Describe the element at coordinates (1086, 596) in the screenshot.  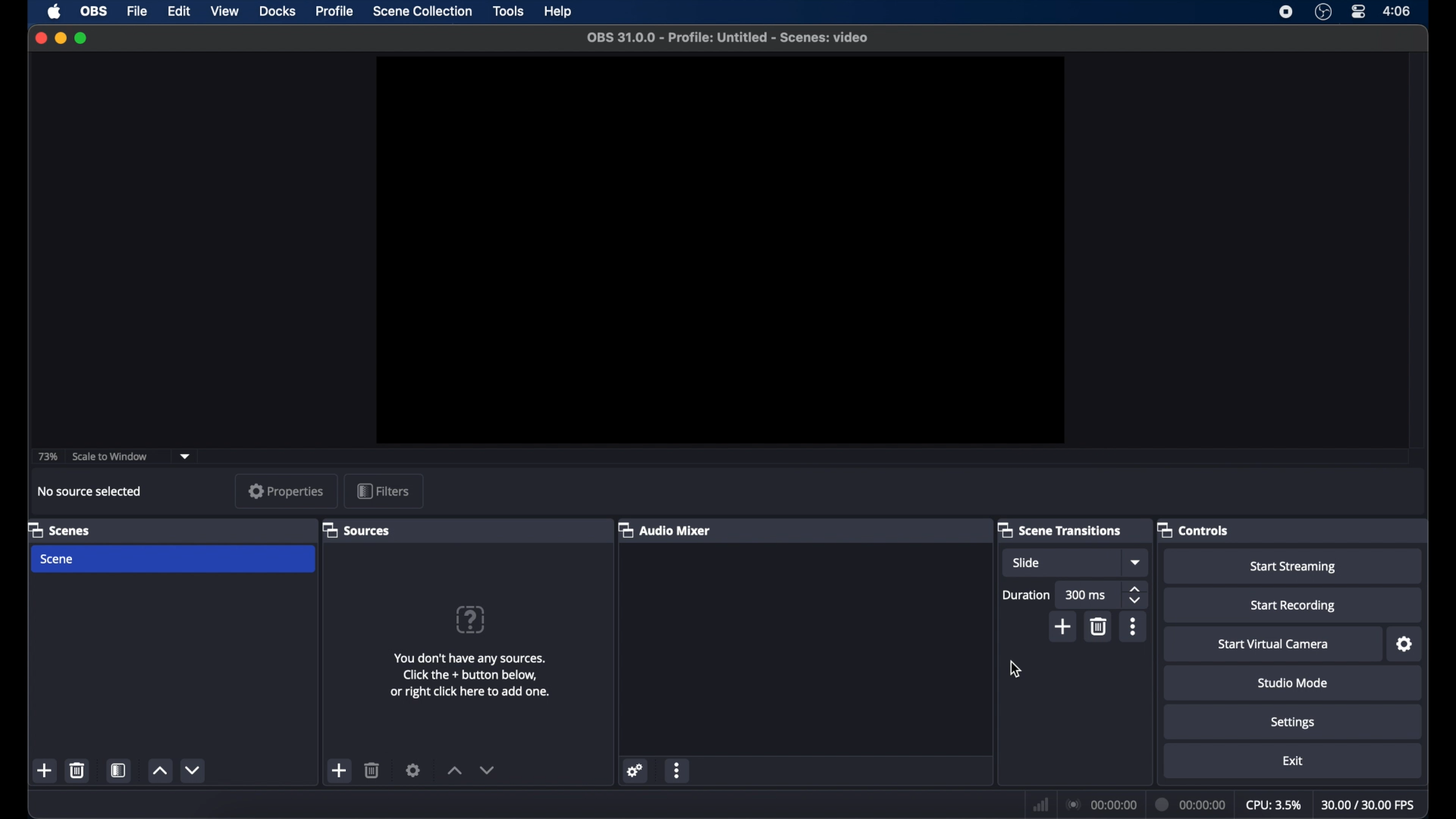
I see `300 ms` at that location.